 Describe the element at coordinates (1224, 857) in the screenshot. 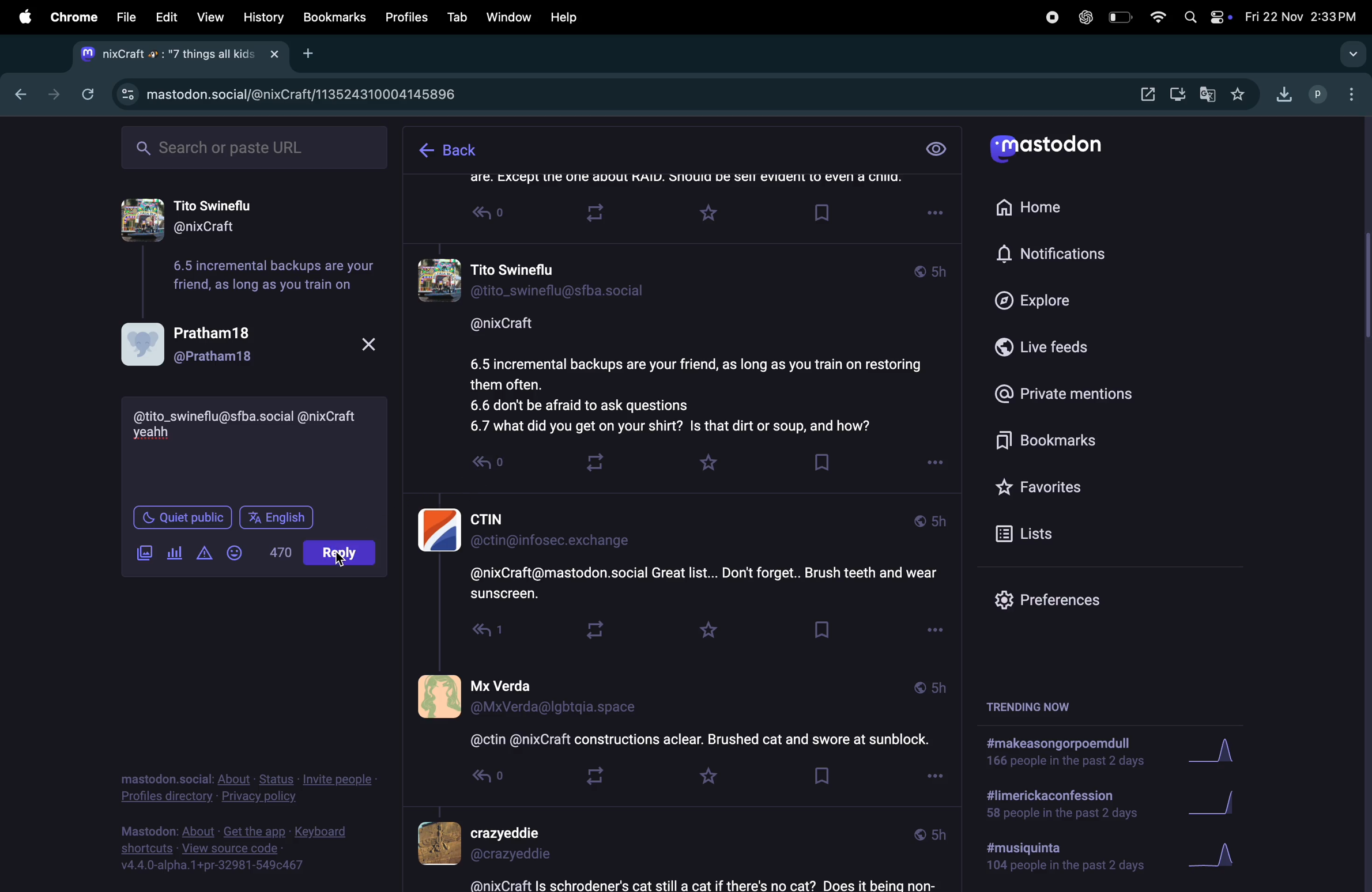

I see `graph` at that location.